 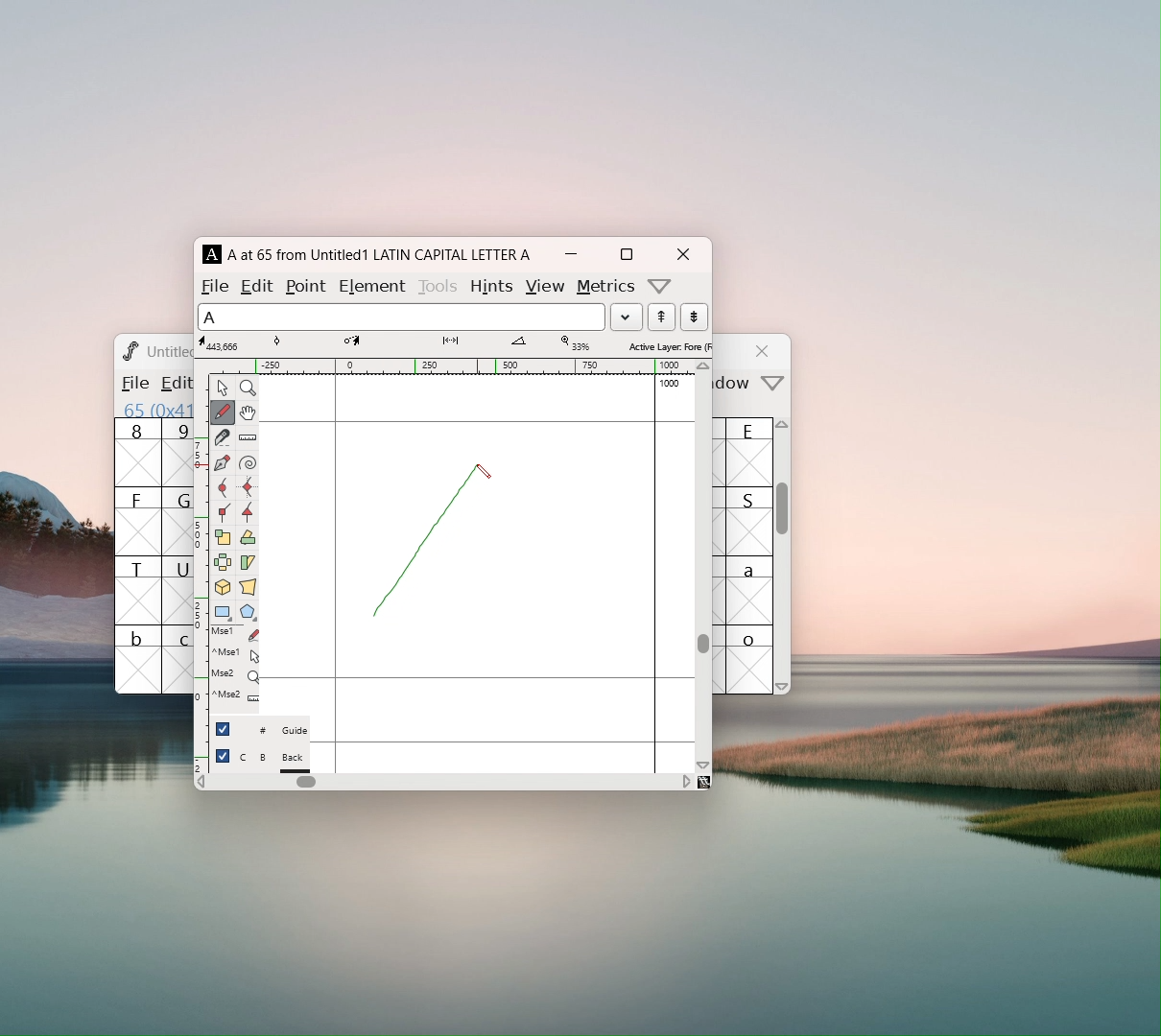 I want to click on more options, so click(x=773, y=385).